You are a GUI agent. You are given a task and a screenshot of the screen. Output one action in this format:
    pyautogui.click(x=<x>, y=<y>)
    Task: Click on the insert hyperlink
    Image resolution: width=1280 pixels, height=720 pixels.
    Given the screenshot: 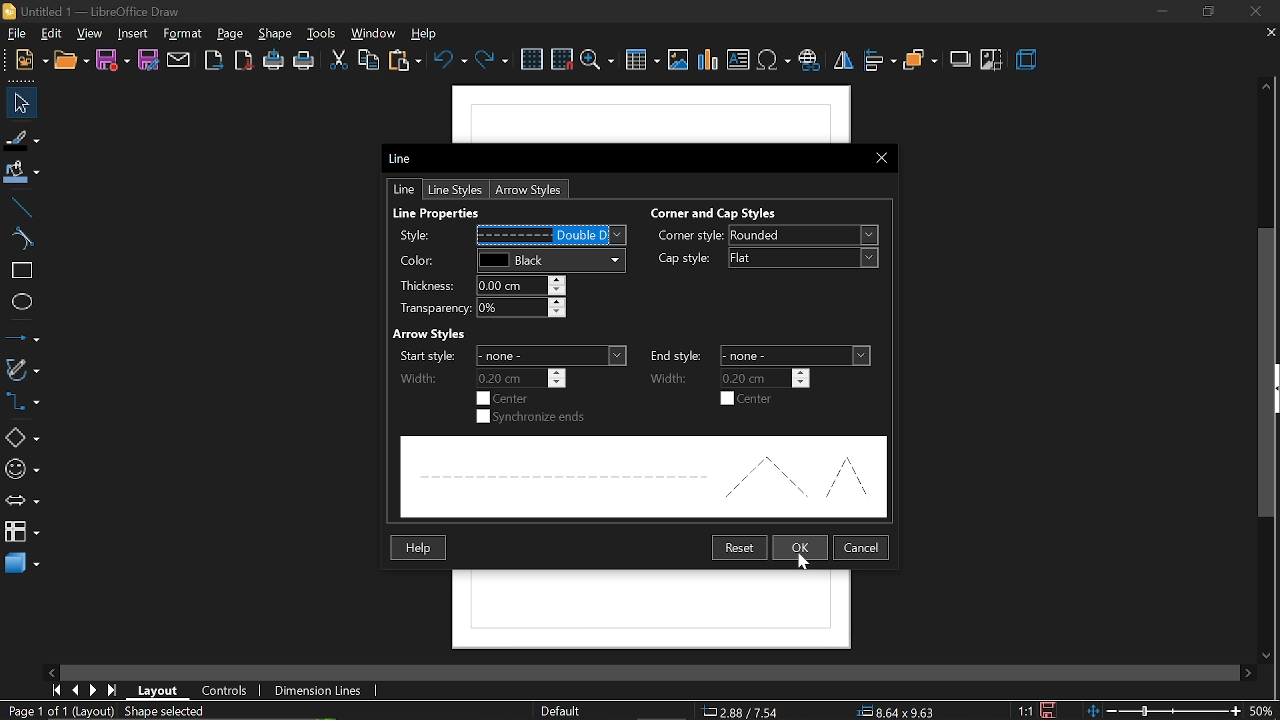 What is the action you would take?
    pyautogui.click(x=808, y=60)
    